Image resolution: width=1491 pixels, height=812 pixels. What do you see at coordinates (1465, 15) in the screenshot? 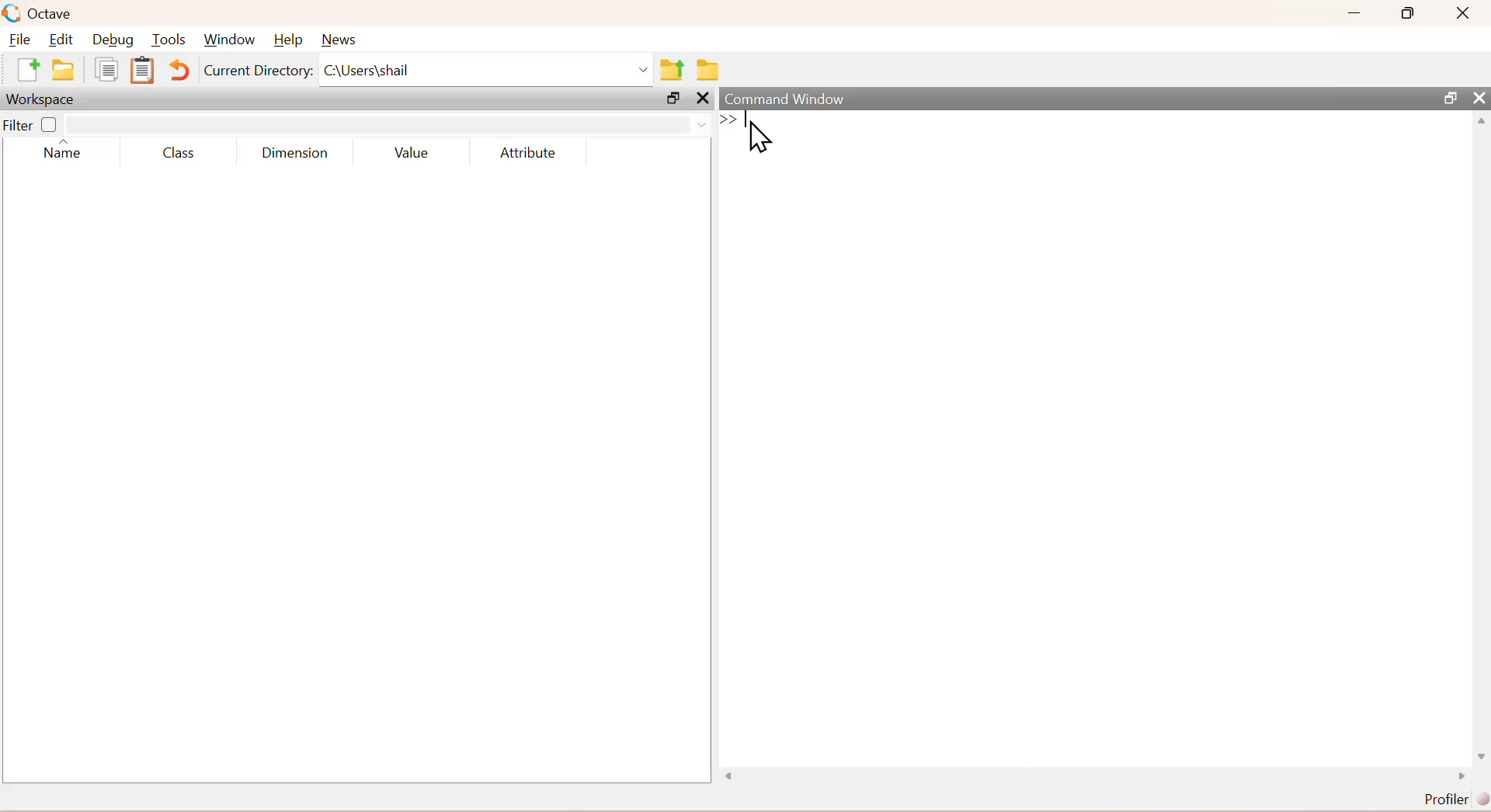
I see `Close` at bounding box center [1465, 15].